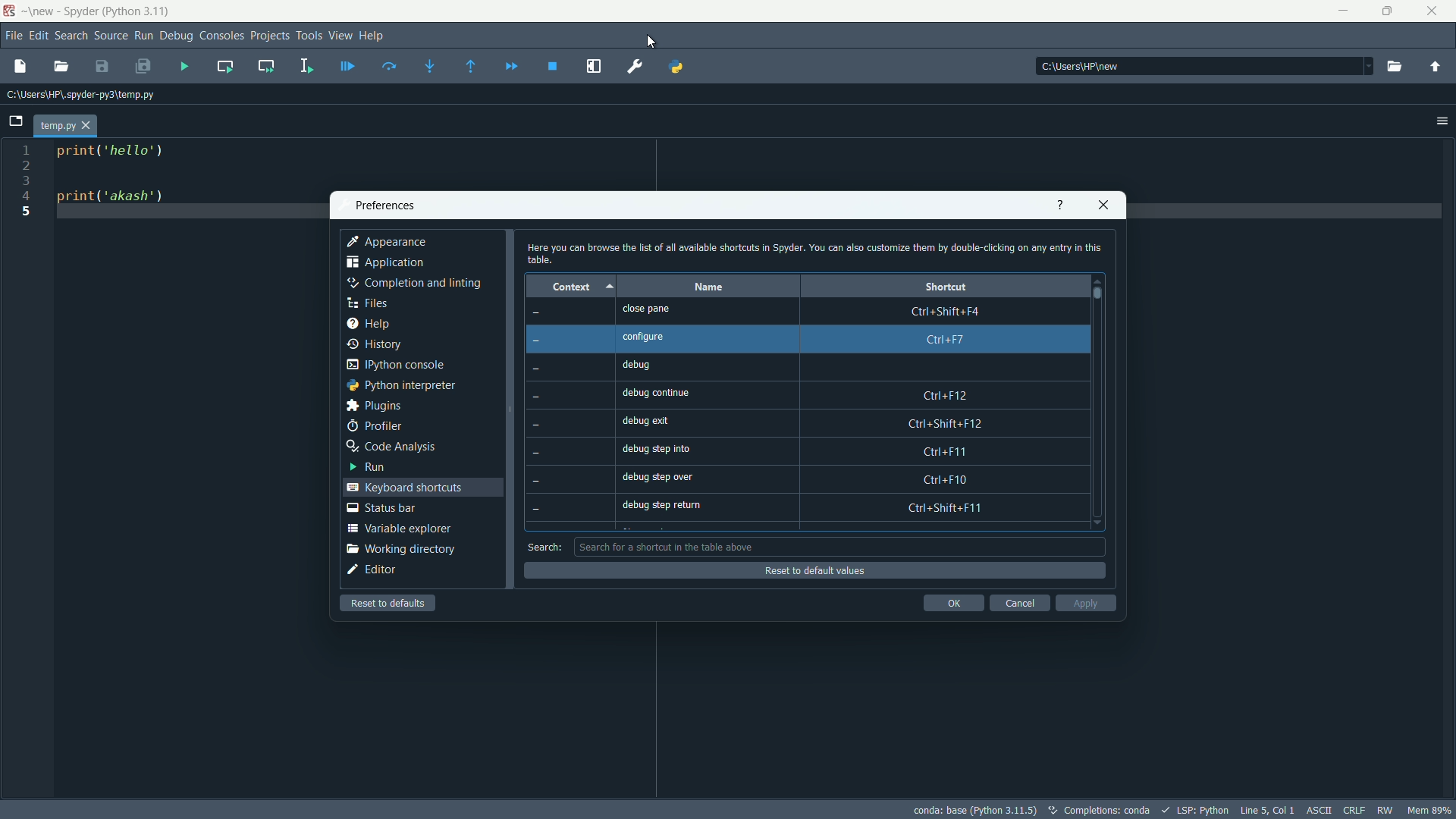  I want to click on preferences, so click(636, 67).